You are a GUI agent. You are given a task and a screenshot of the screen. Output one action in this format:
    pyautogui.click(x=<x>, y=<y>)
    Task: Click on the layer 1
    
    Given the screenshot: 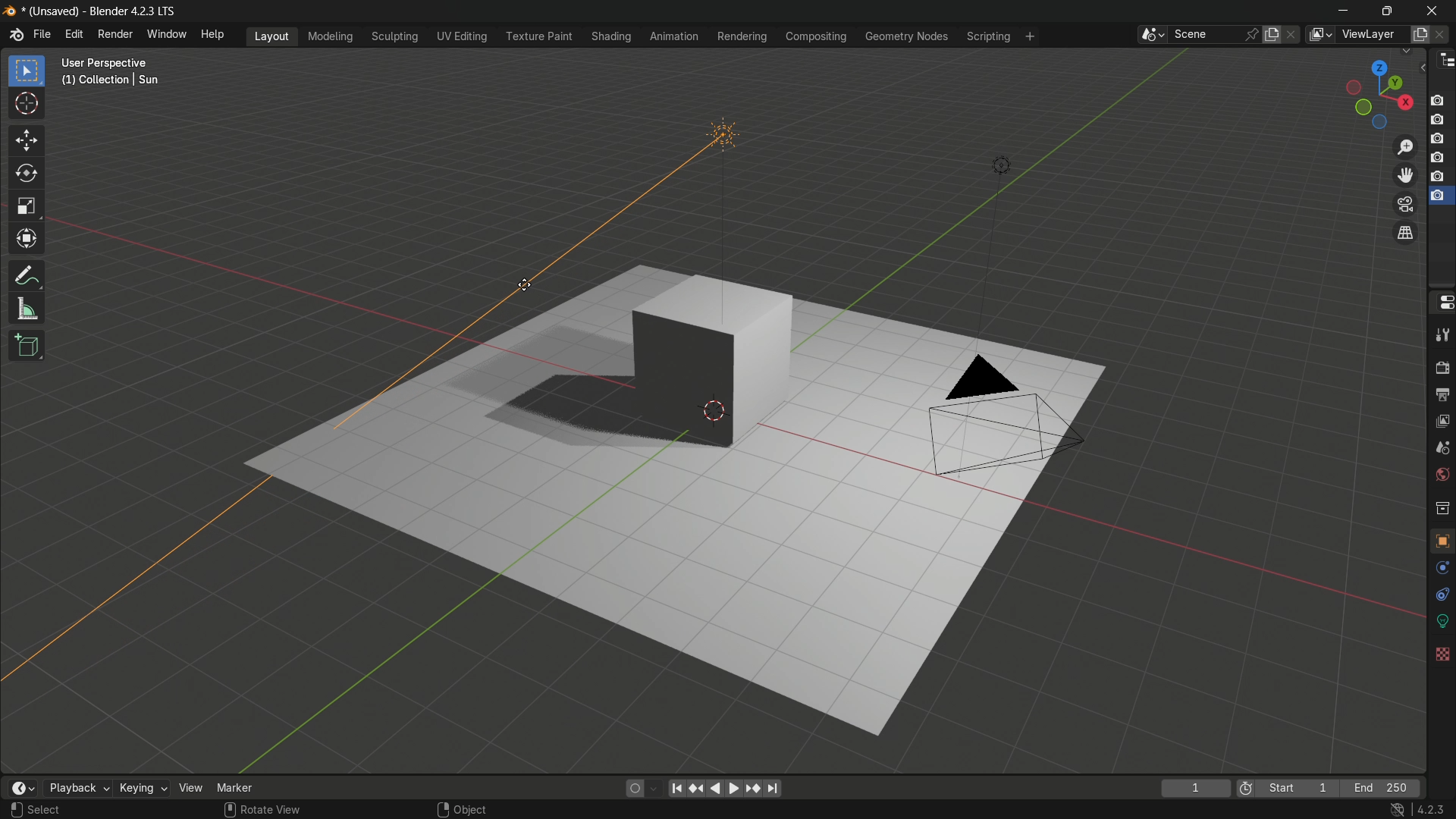 What is the action you would take?
    pyautogui.click(x=1438, y=100)
    